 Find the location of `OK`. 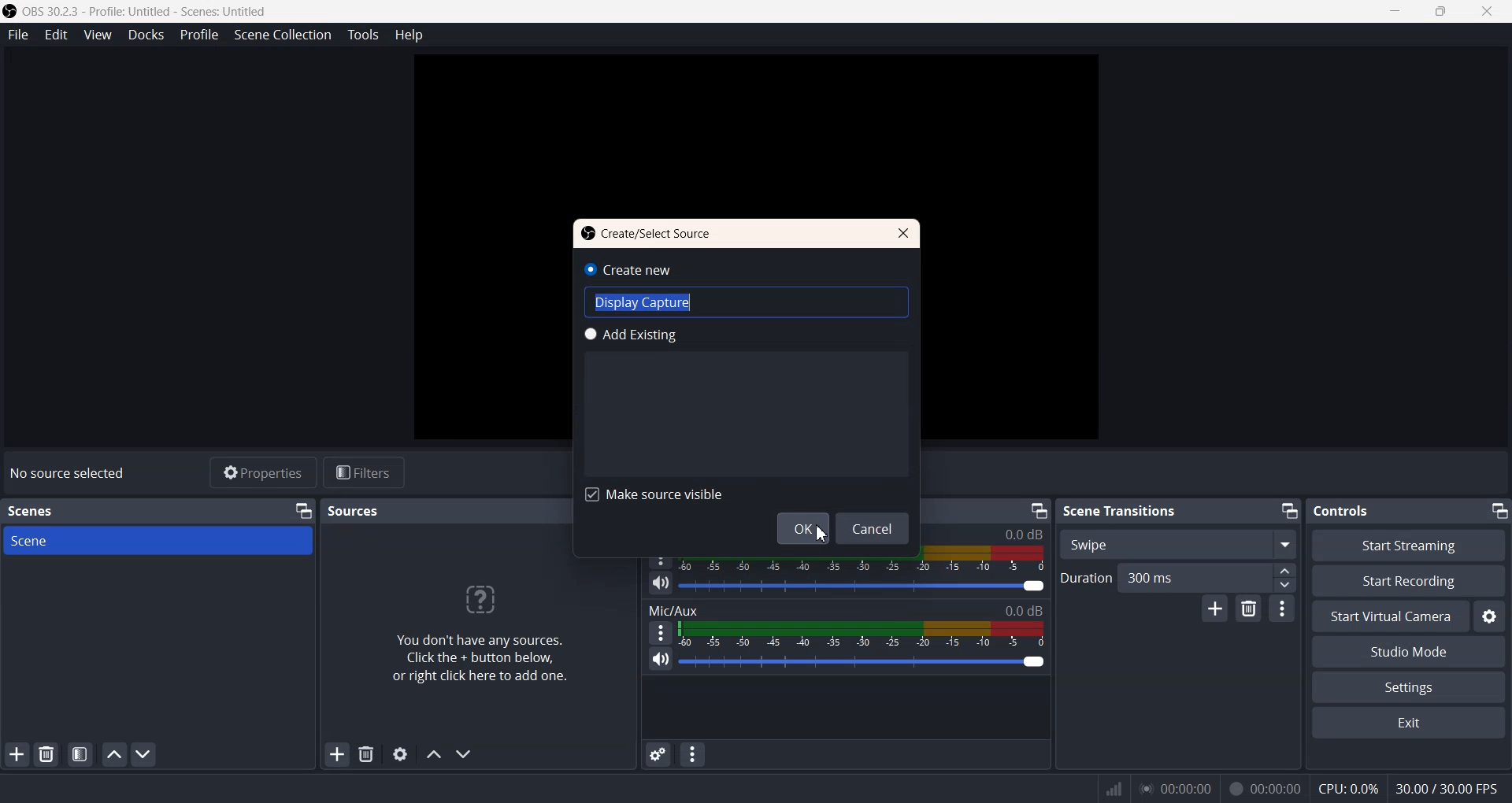

OK is located at coordinates (799, 529).